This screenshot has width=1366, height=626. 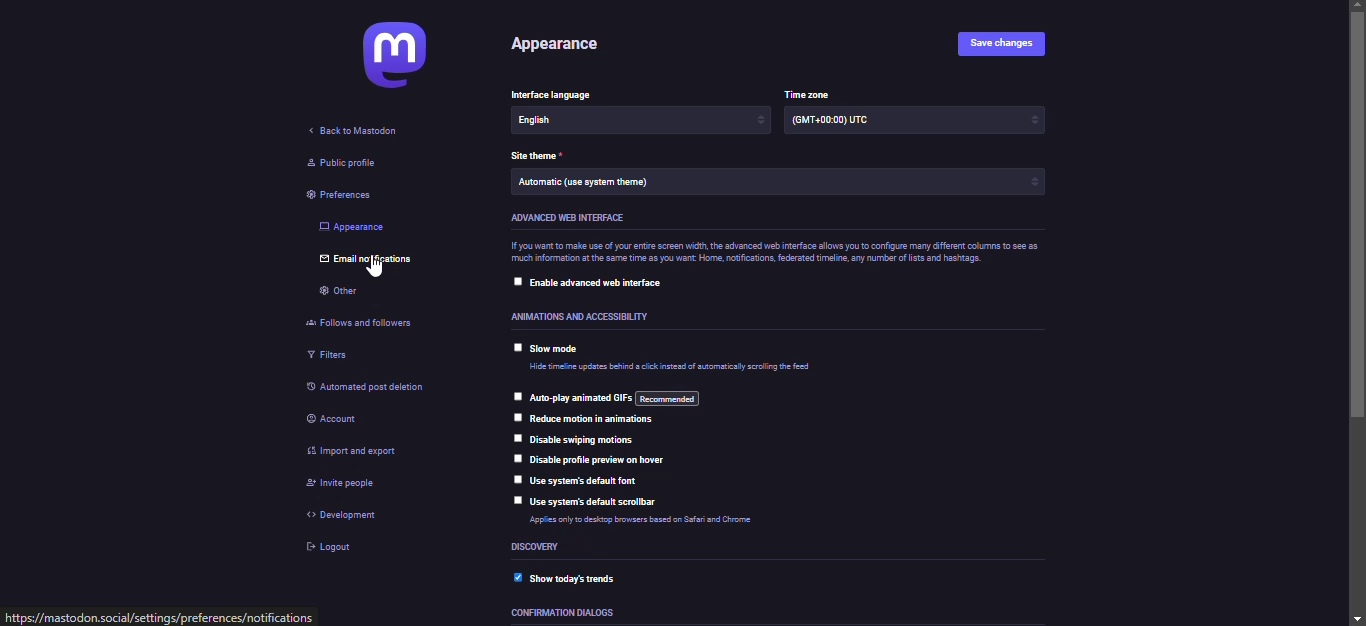 What do you see at coordinates (557, 47) in the screenshot?
I see `appearance` at bounding box center [557, 47].